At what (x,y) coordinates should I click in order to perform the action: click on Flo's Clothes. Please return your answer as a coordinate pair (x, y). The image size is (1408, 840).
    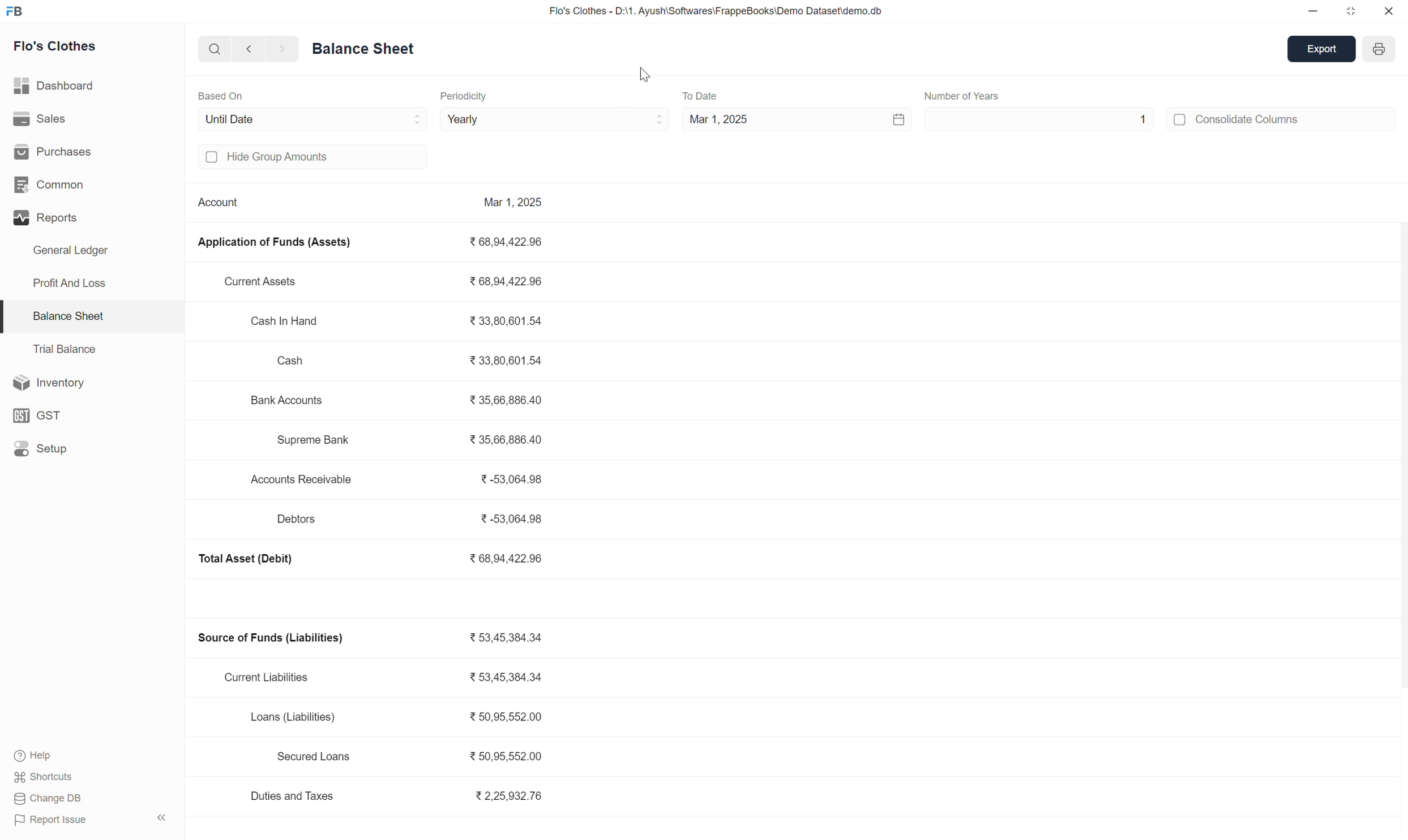
    Looking at the image, I should click on (58, 46).